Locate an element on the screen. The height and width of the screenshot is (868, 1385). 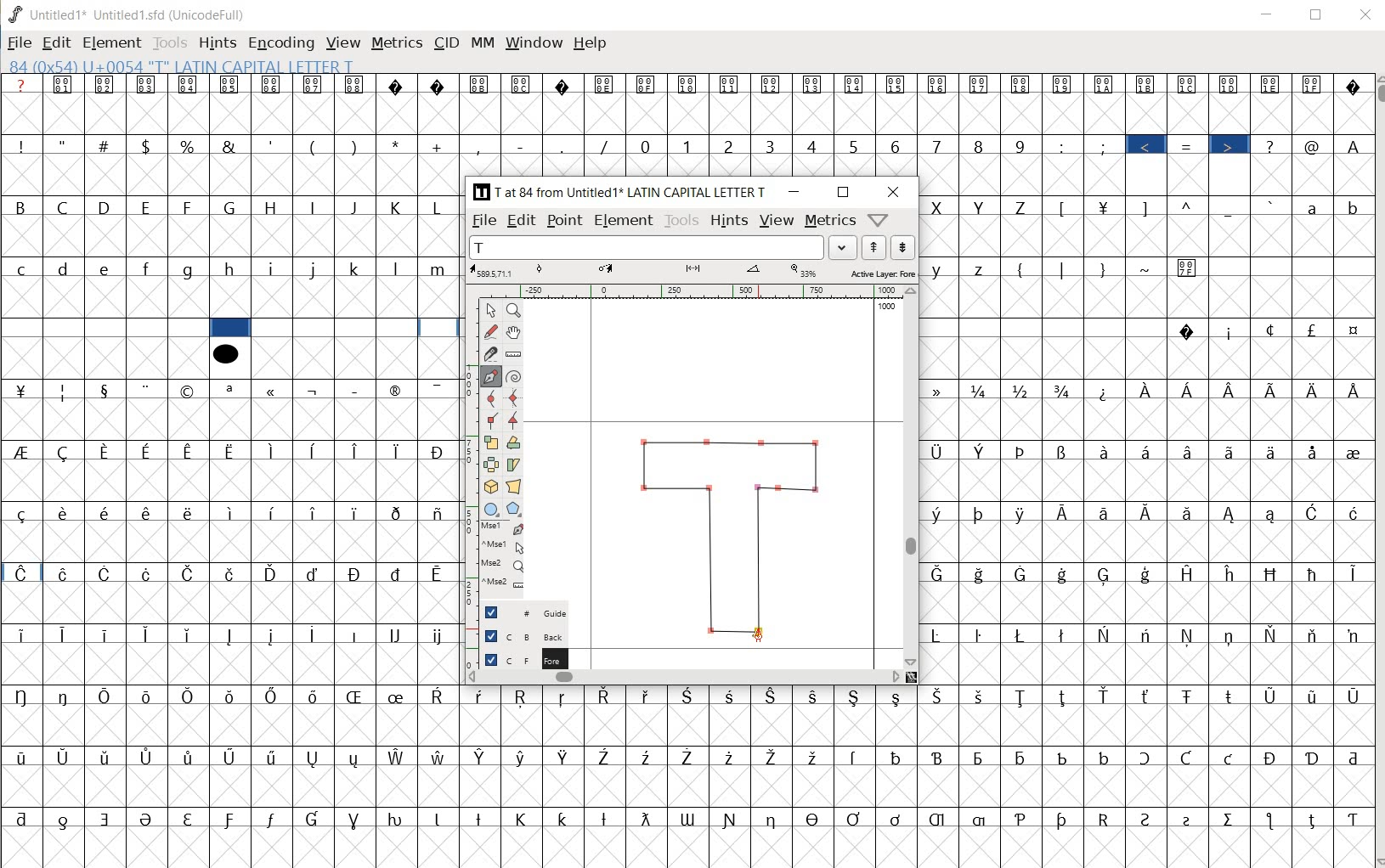
Symbol is located at coordinates (399, 449).